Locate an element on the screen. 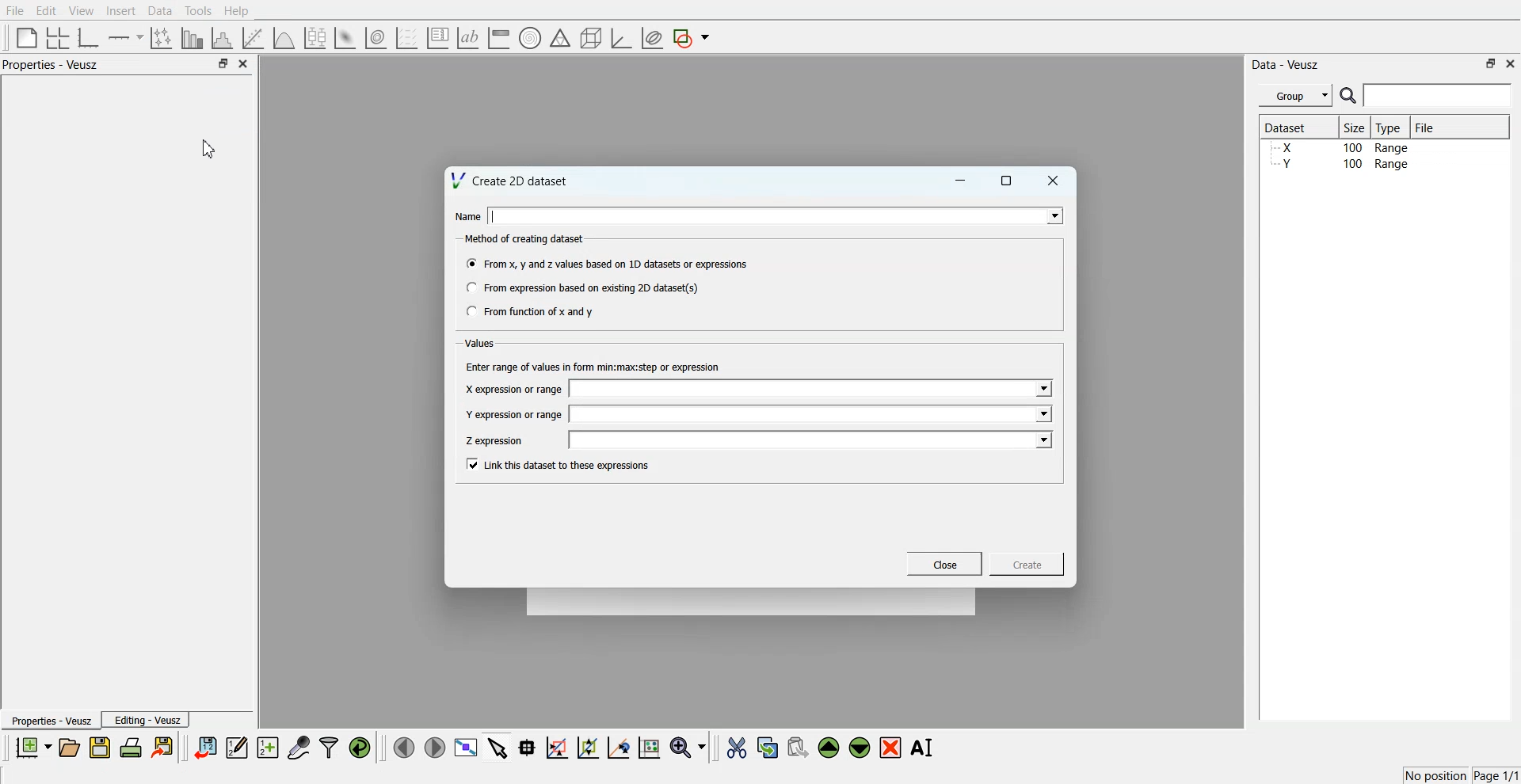  View plot full screen is located at coordinates (467, 747).